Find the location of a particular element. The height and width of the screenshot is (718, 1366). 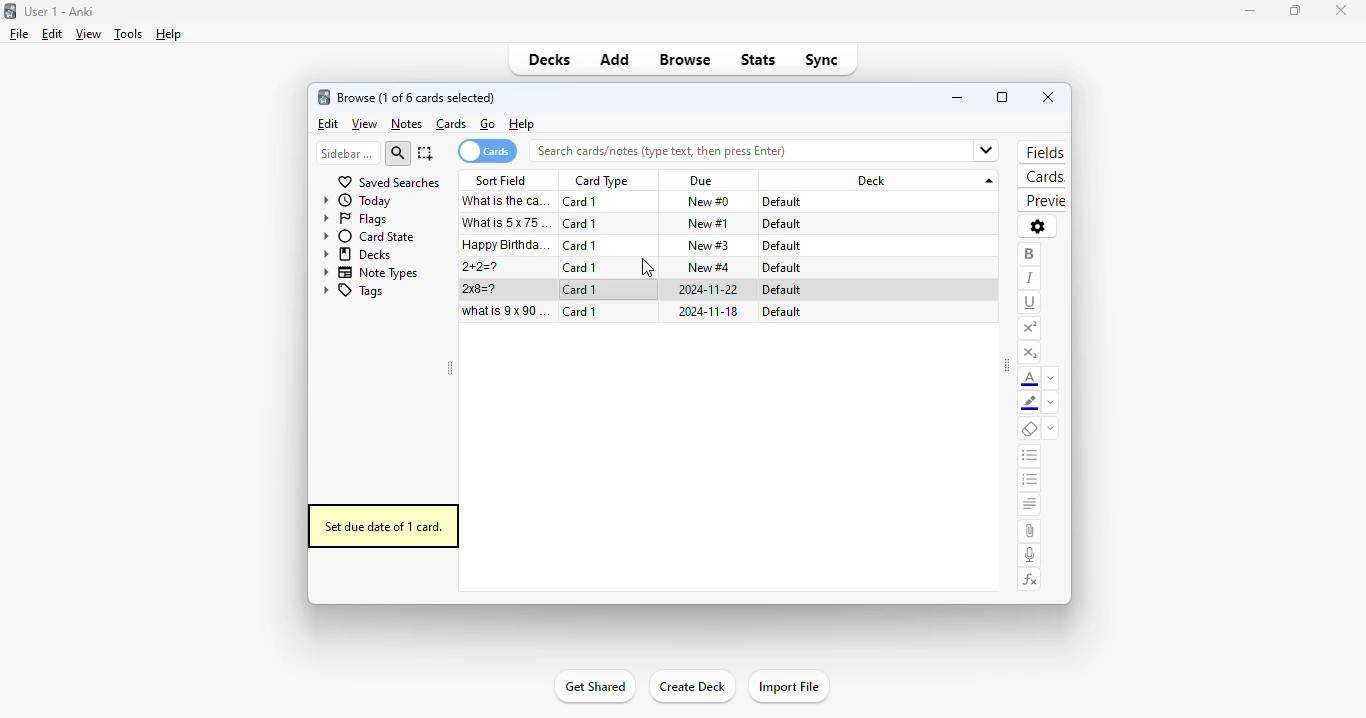

today is located at coordinates (358, 201).